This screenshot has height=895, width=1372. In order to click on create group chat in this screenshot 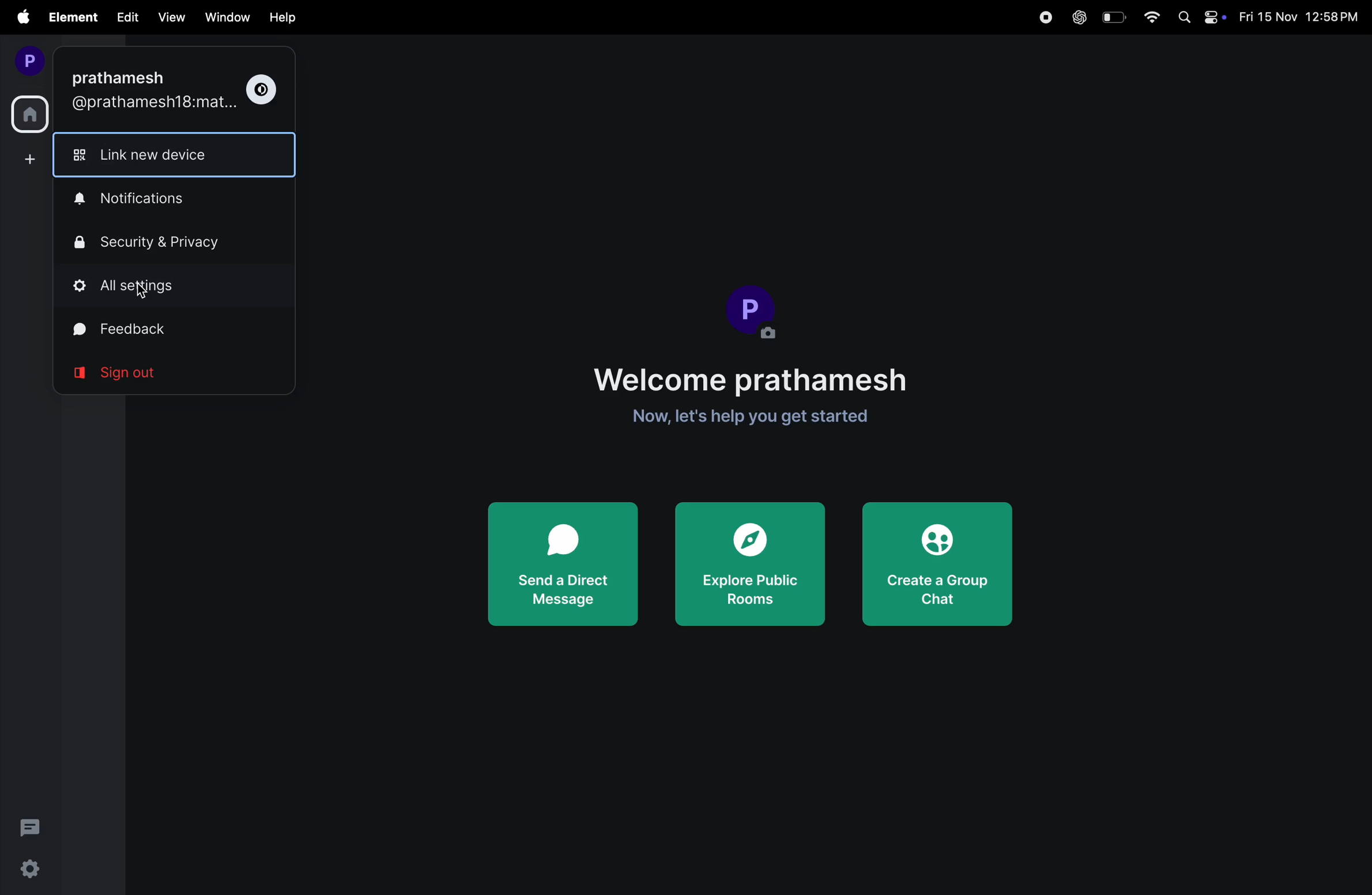, I will do `click(937, 564)`.